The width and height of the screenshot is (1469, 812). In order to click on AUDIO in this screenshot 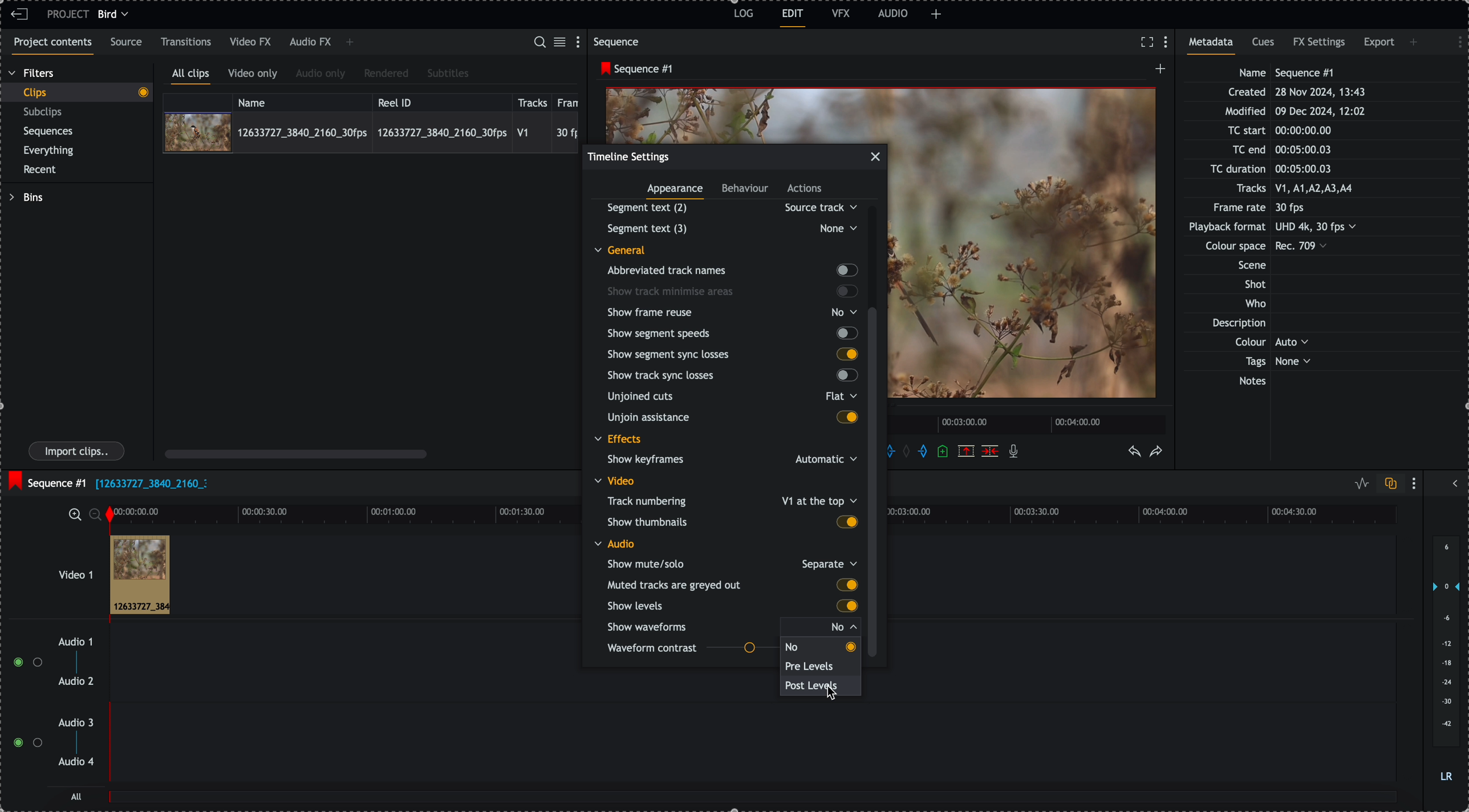, I will do `click(893, 13)`.